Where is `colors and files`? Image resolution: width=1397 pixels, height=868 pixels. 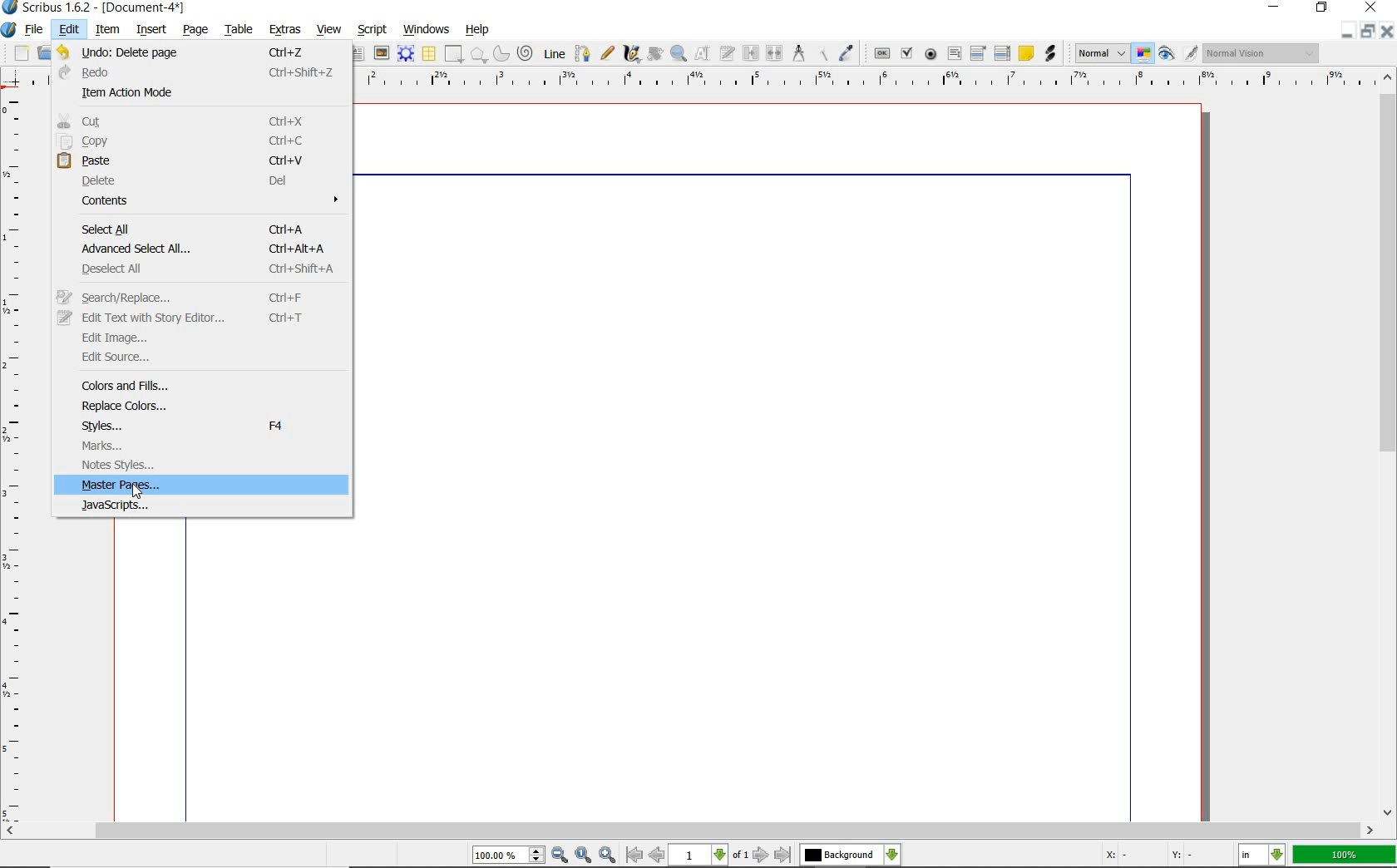
colors and files is located at coordinates (213, 386).